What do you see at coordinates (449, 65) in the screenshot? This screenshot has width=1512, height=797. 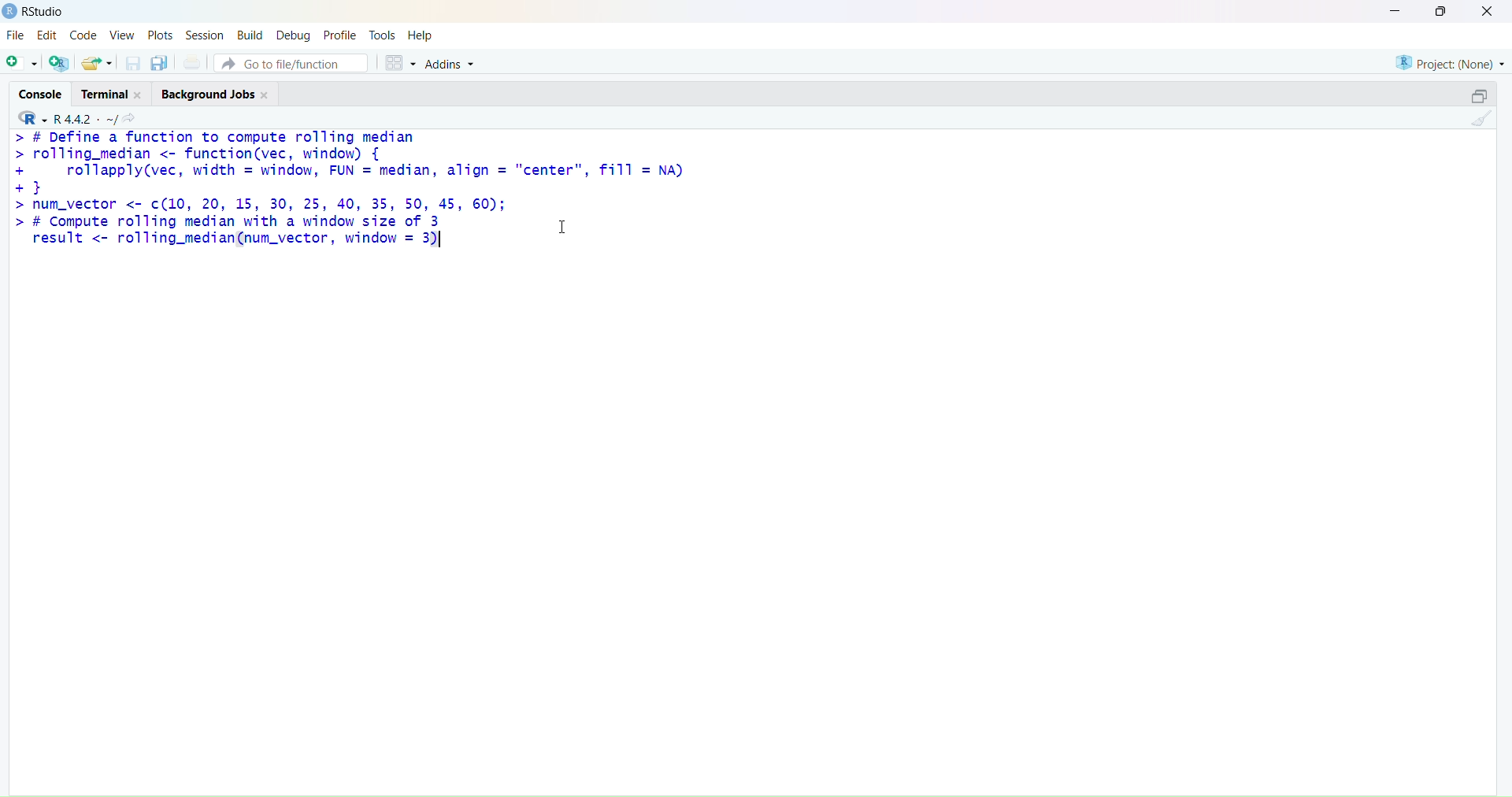 I see `addins` at bounding box center [449, 65].